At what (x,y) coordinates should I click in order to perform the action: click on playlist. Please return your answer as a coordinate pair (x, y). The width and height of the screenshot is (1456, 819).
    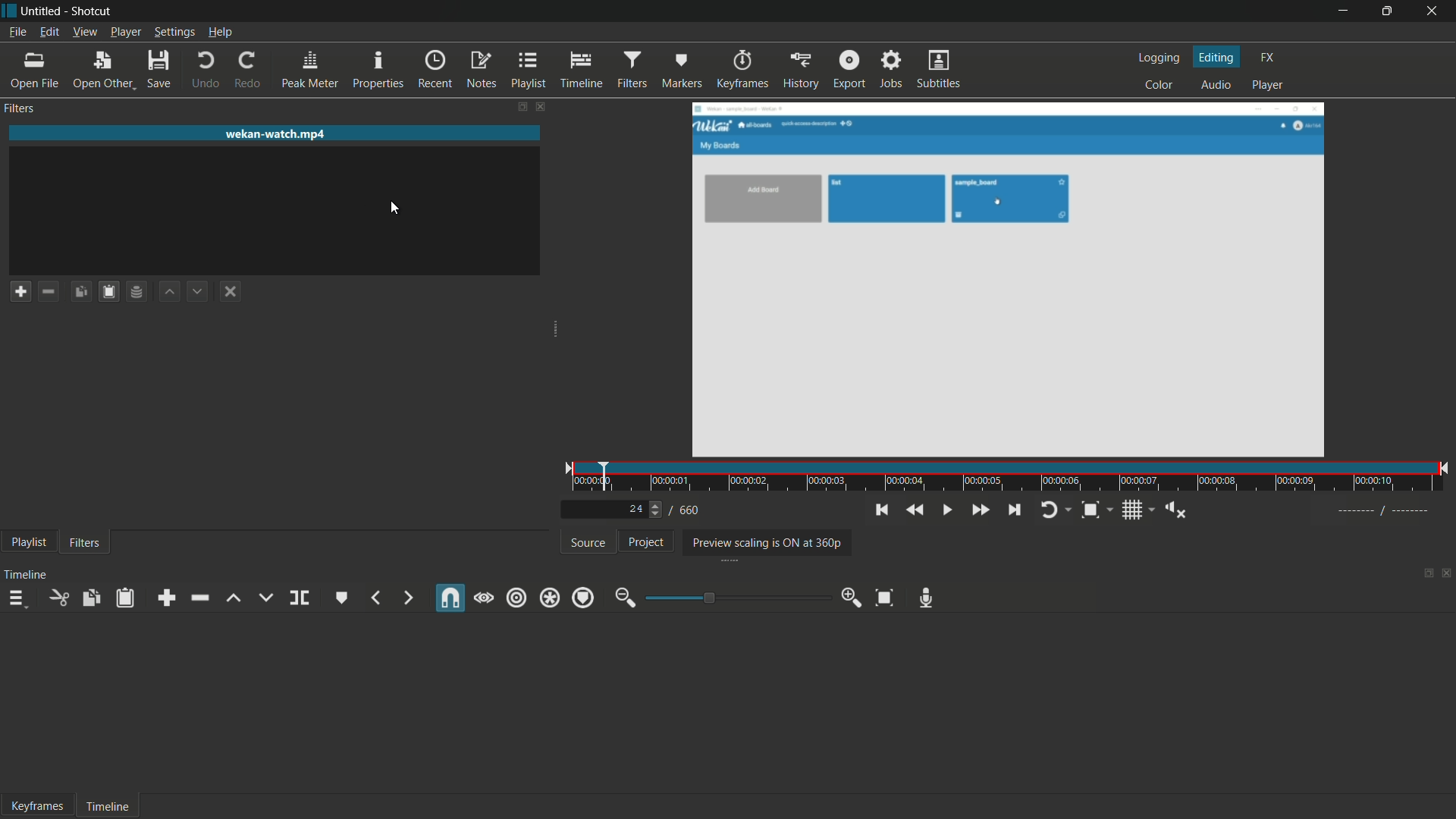
    Looking at the image, I should click on (26, 544).